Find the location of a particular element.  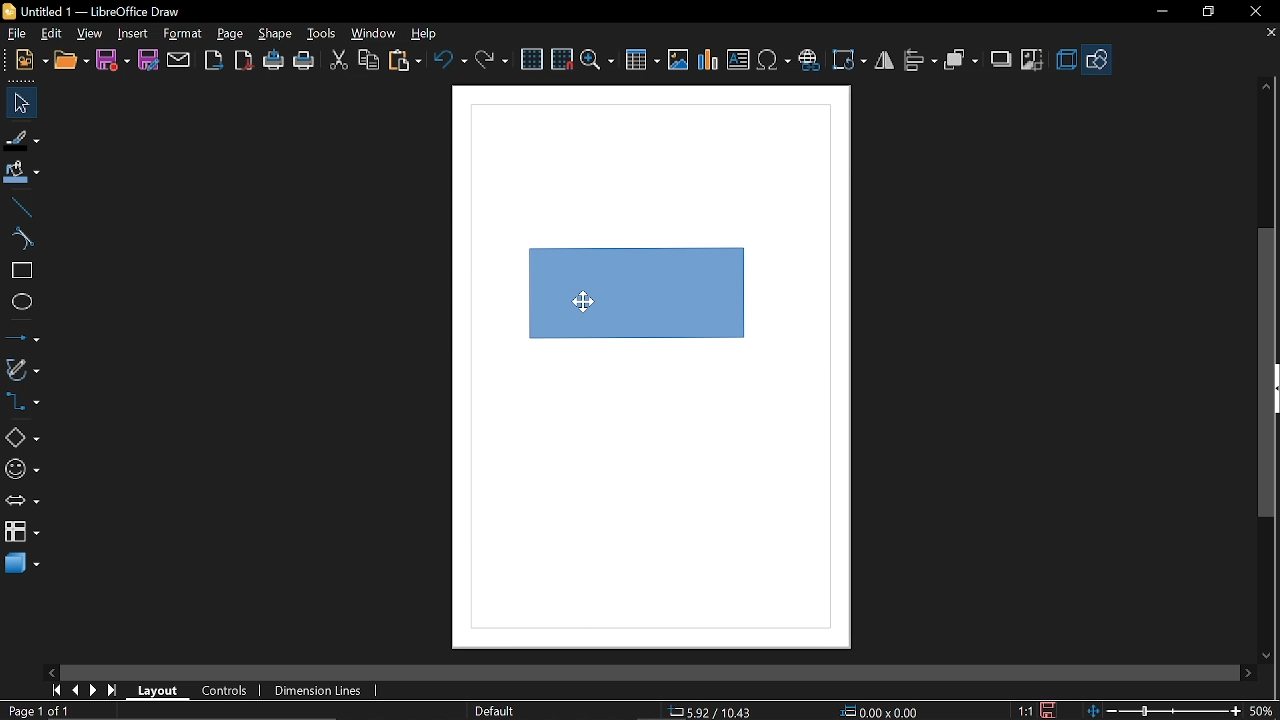

Shadow is located at coordinates (998, 60).